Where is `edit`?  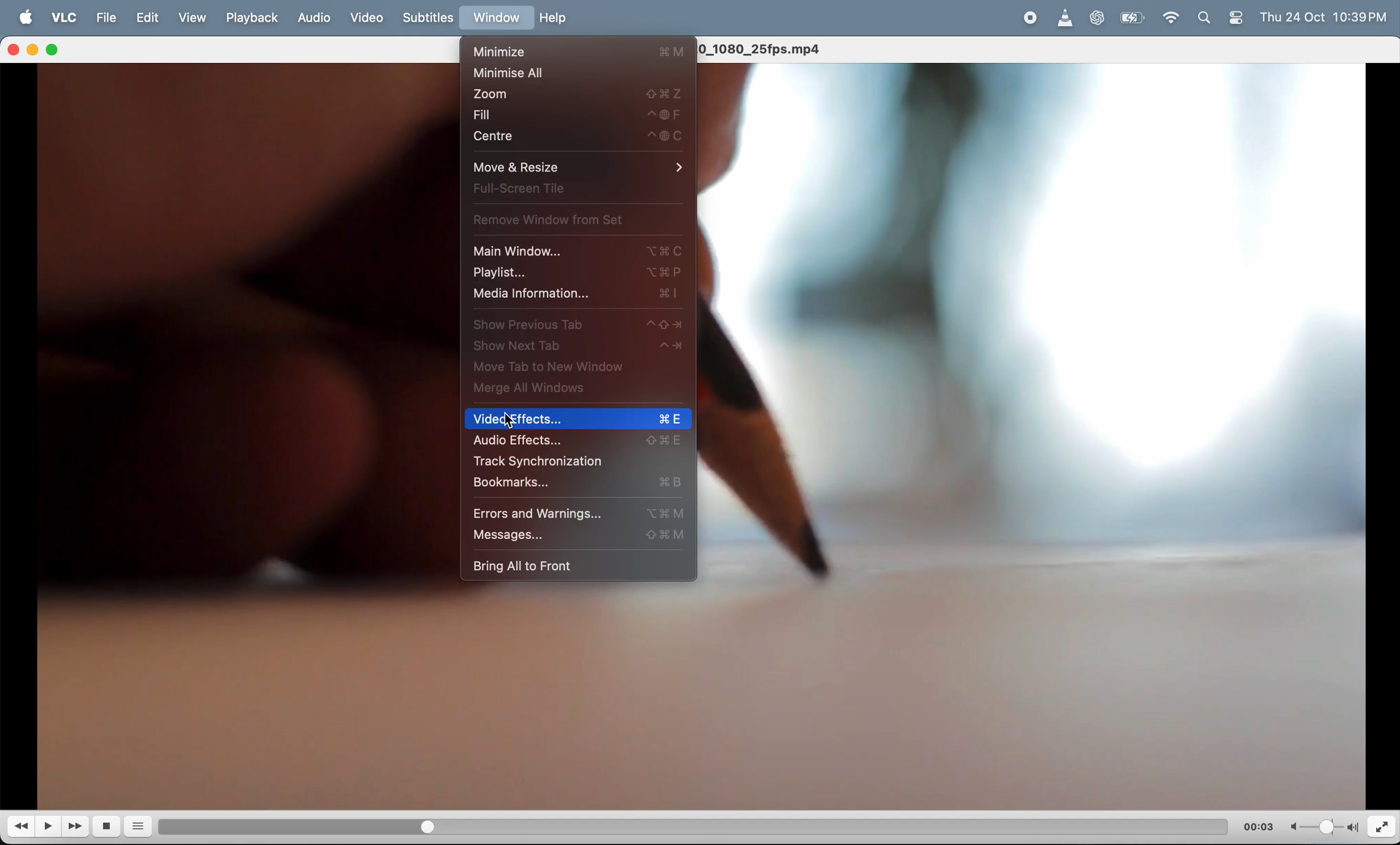 edit is located at coordinates (152, 18).